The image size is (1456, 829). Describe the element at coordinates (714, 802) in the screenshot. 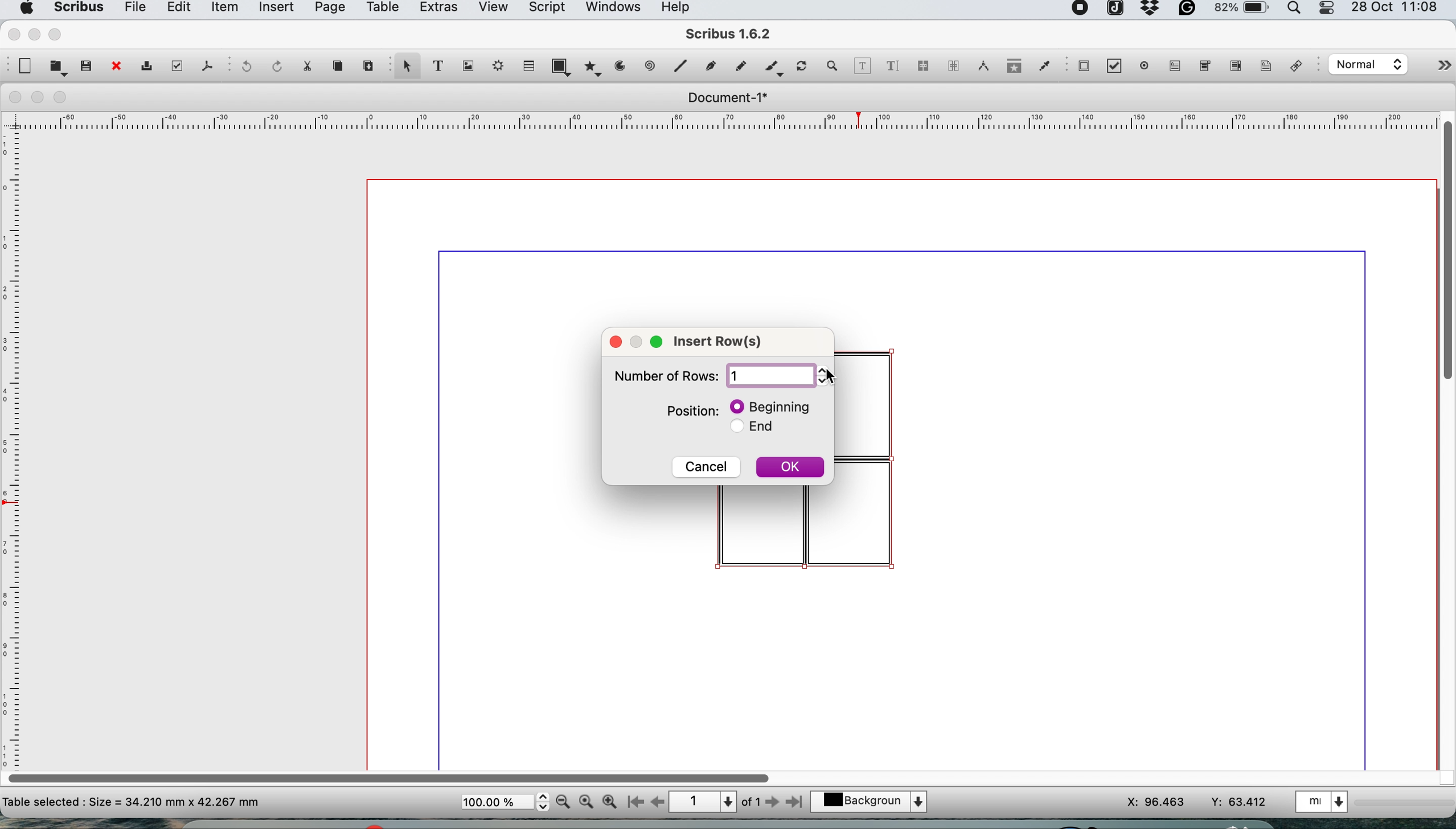

I see `page 1 of 1` at that location.